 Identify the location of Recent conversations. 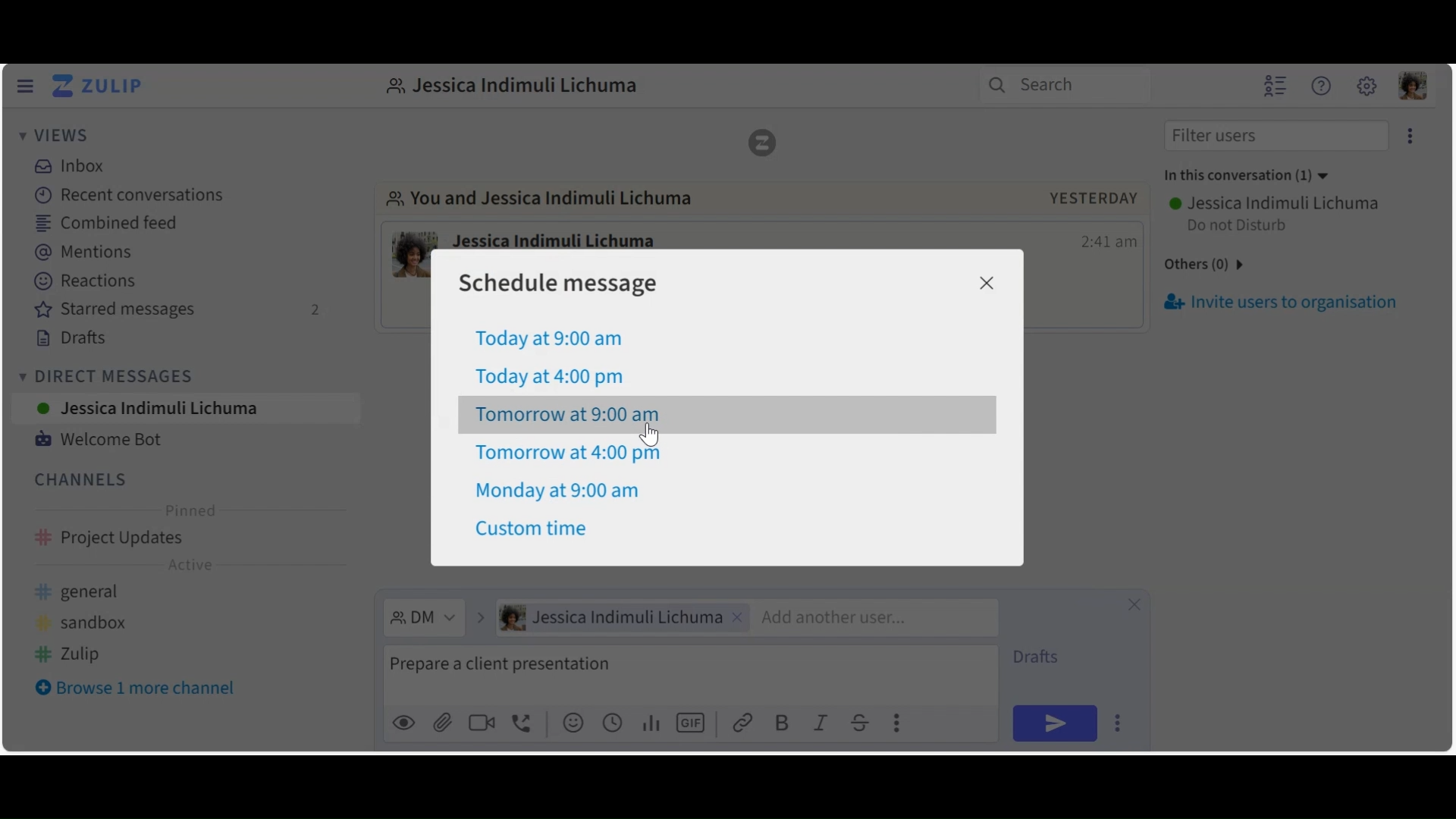
(133, 196).